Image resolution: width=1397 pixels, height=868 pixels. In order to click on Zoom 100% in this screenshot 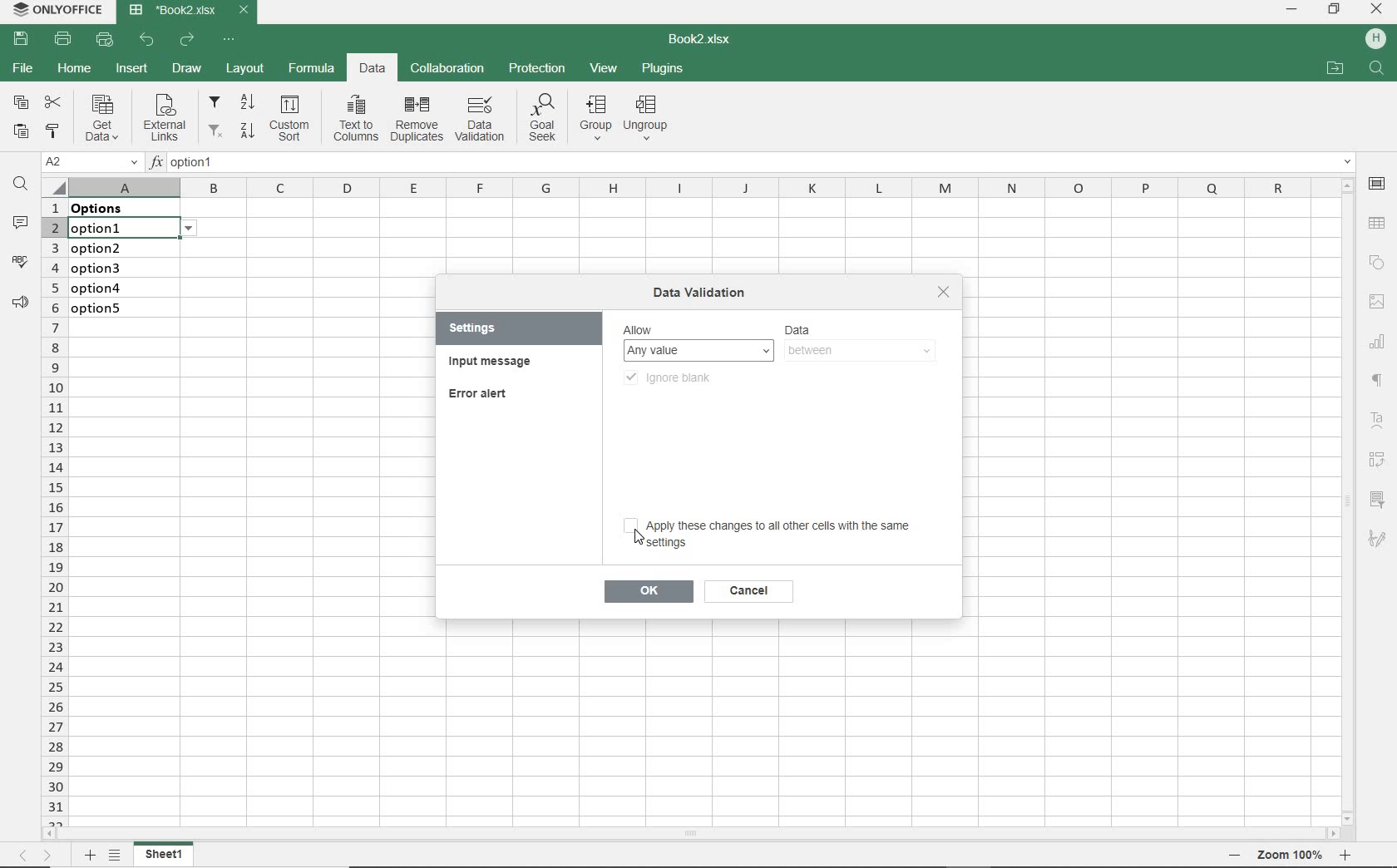, I will do `click(1292, 855)`.